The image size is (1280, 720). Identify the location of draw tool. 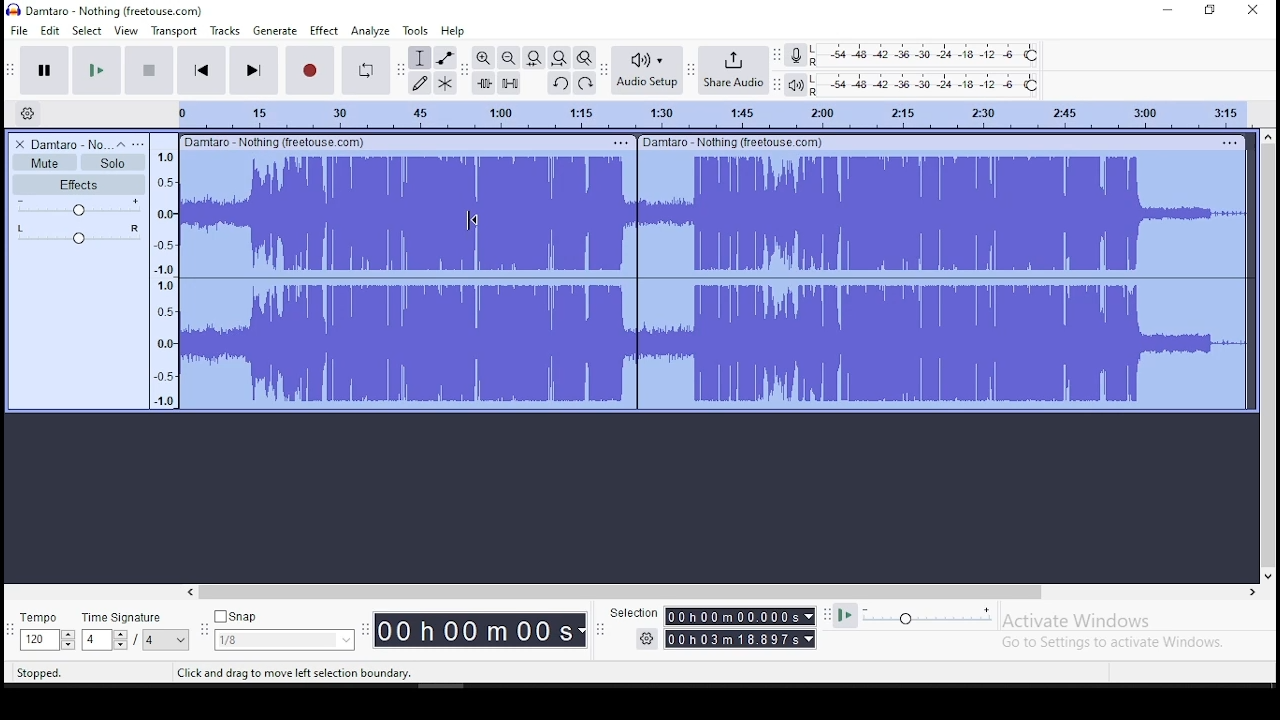
(417, 83).